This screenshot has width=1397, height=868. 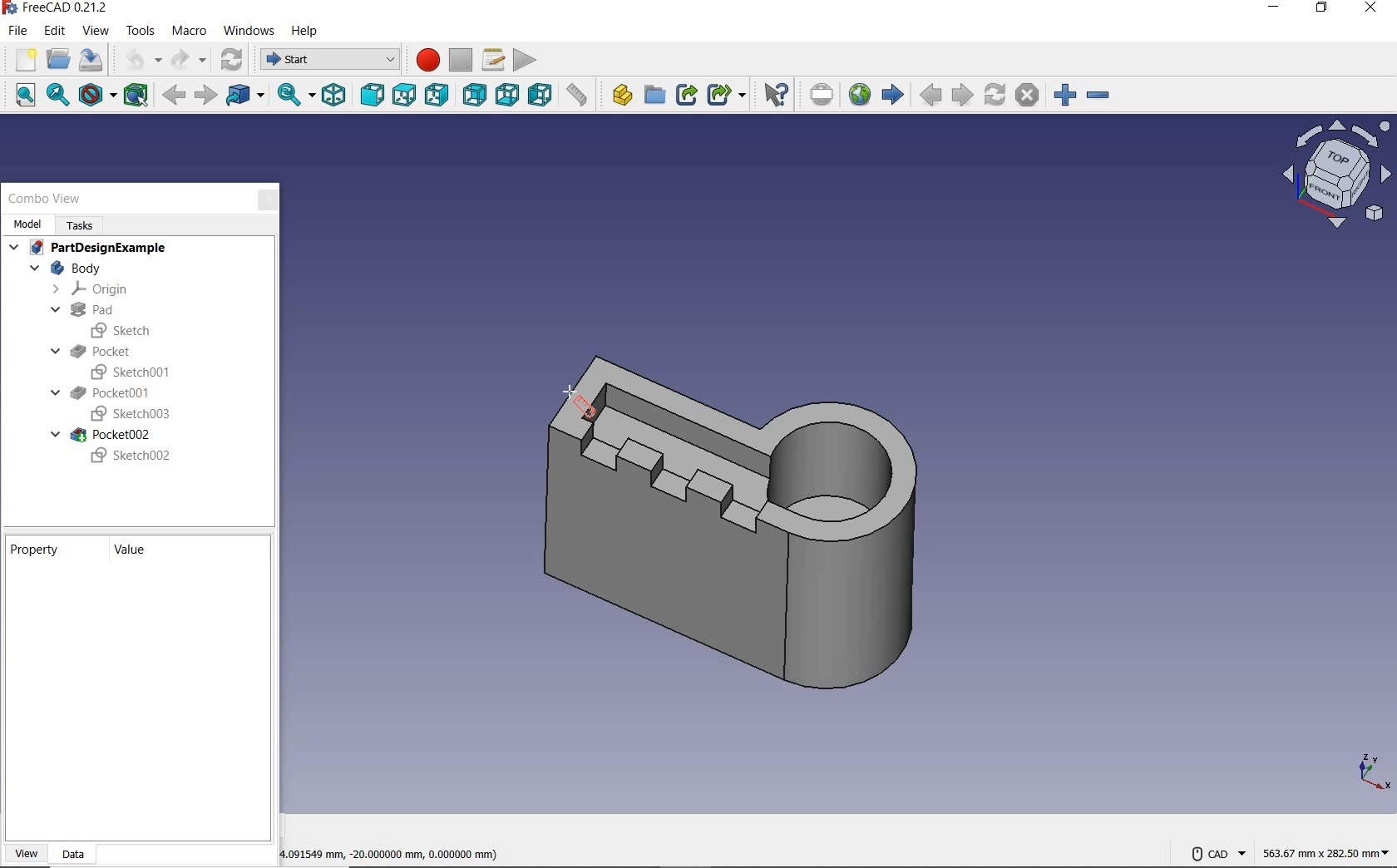 I want to click on forward, so click(x=205, y=96).